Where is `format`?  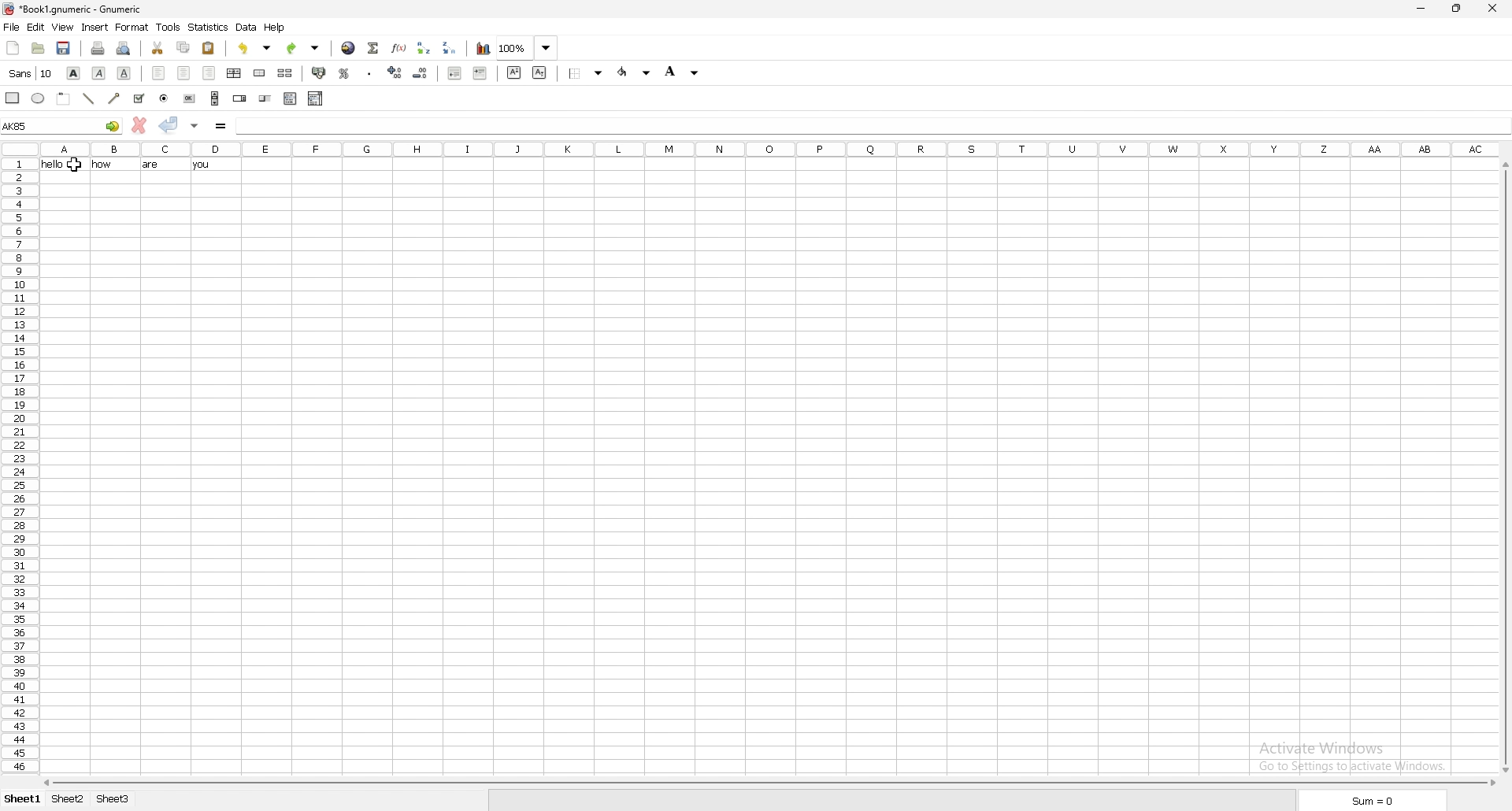
format is located at coordinates (132, 28).